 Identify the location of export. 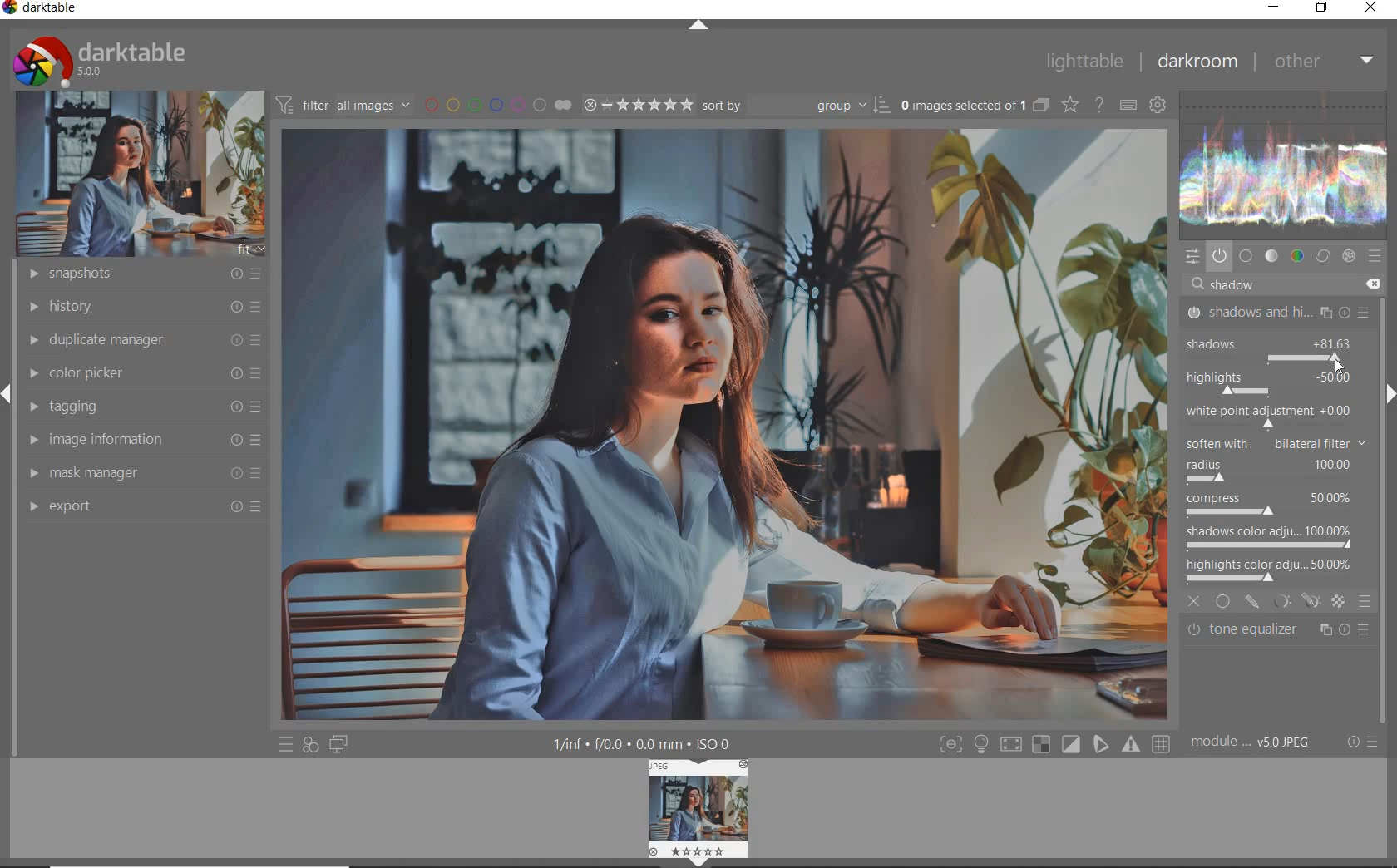
(142, 506).